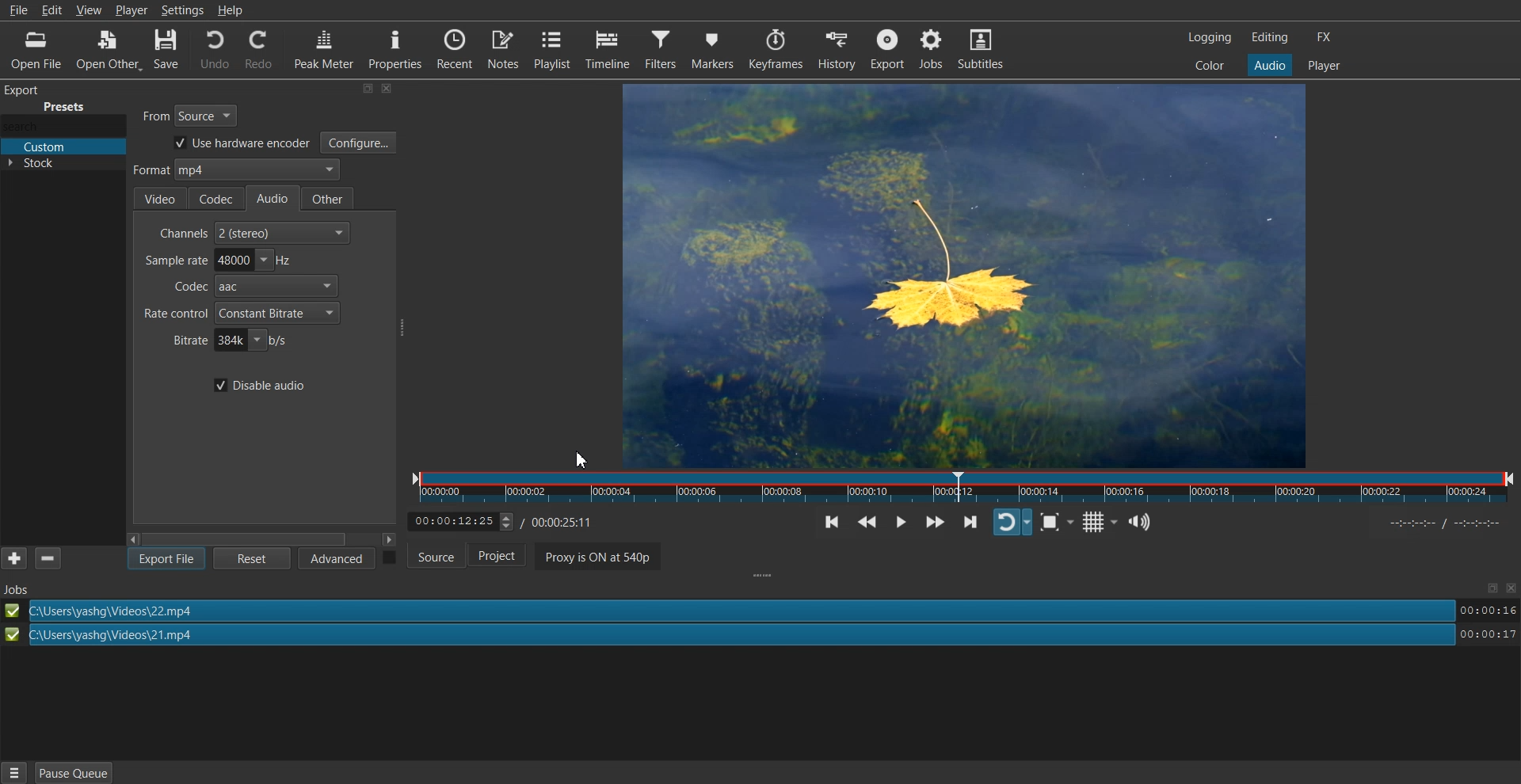 Image resolution: width=1521 pixels, height=784 pixels. Describe the element at coordinates (322, 49) in the screenshot. I see `Peak Meter` at that location.